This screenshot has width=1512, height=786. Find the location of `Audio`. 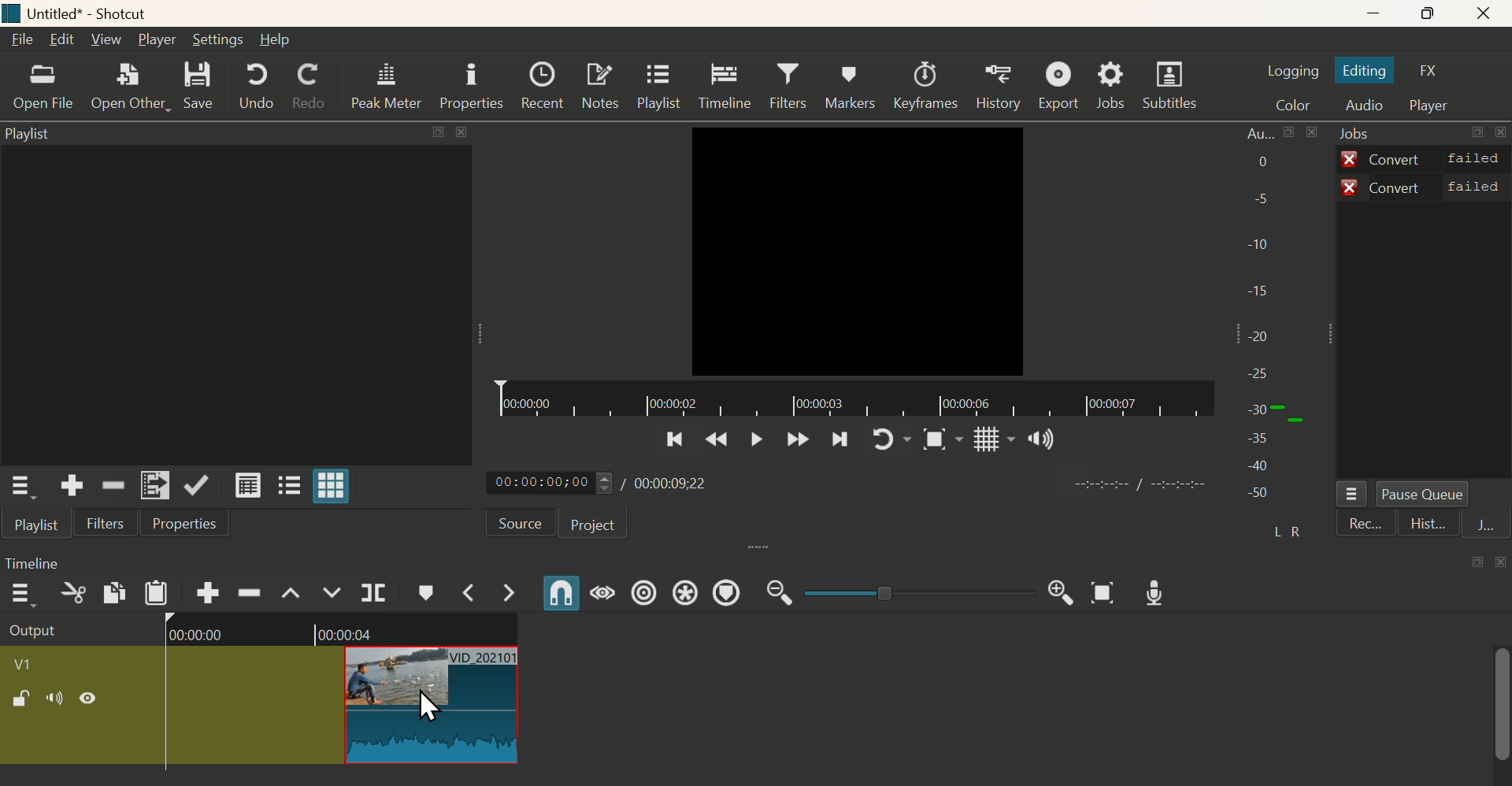

Audio is located at coordinates (1366, 106).